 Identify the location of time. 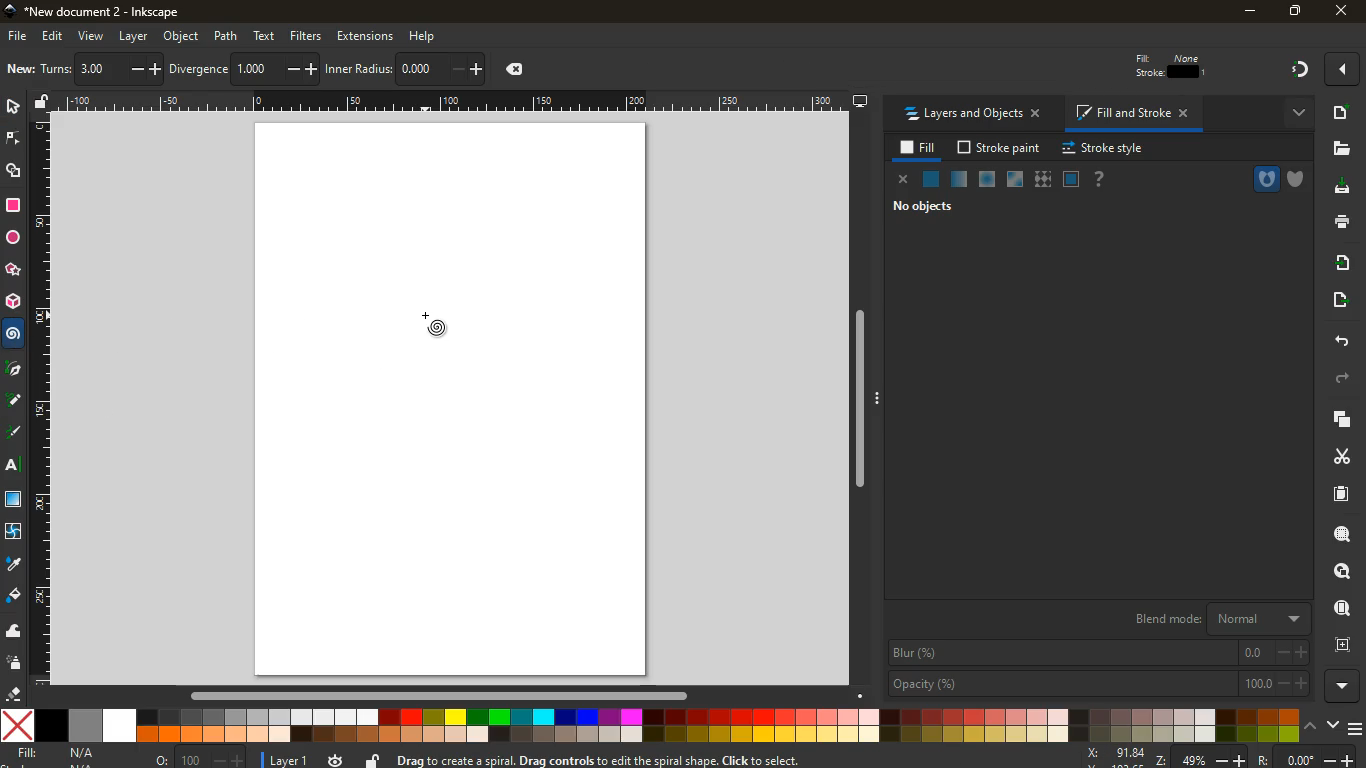
(336, 758).